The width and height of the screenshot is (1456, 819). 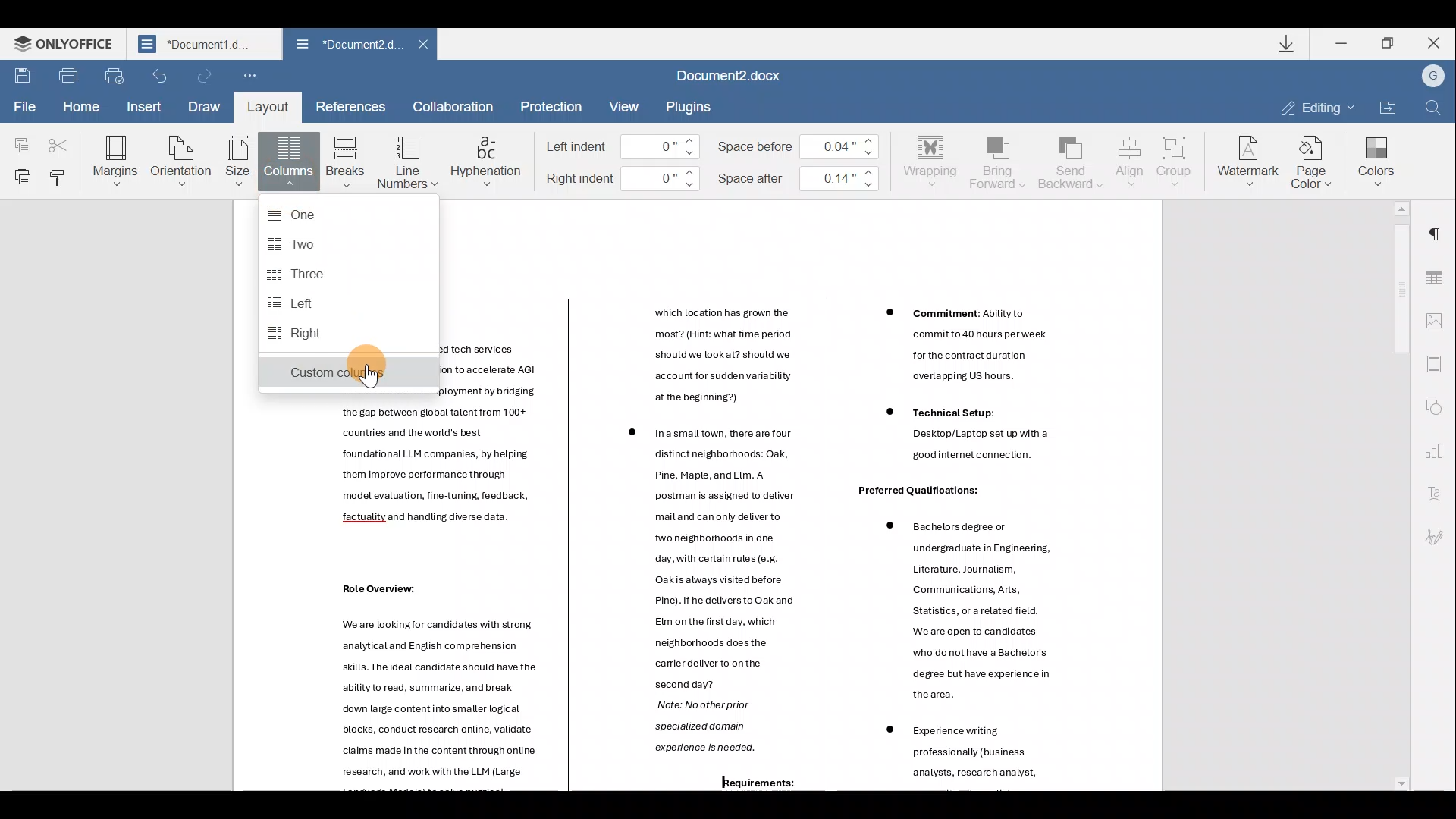 I want to click on Minimize, so click(x=1344, y=42).